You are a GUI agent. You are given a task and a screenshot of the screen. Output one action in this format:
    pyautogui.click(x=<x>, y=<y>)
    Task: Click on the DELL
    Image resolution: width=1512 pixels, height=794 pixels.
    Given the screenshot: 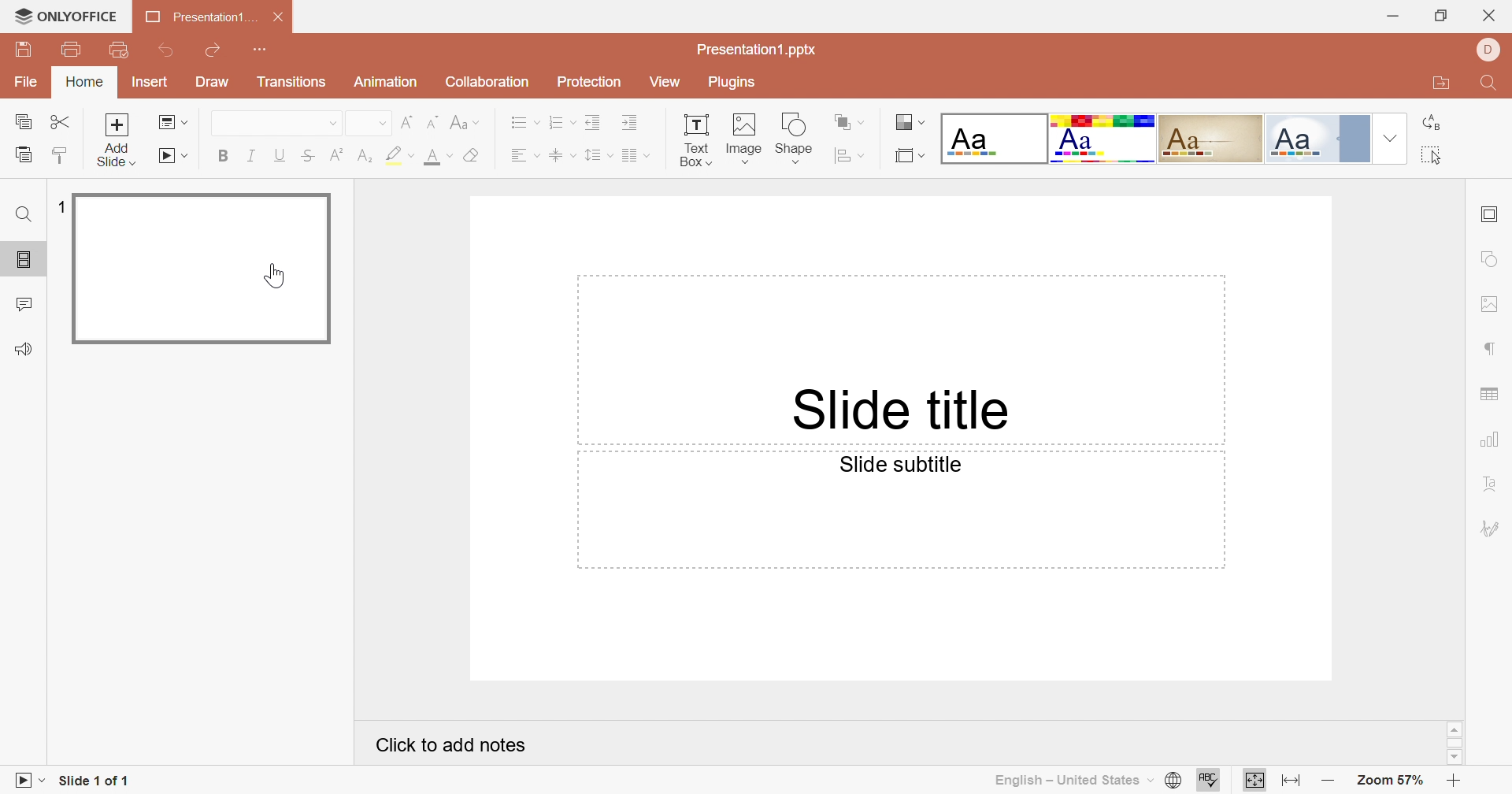 What is the action you would take?
    pyautogui.click(x=1491, y=50)
    